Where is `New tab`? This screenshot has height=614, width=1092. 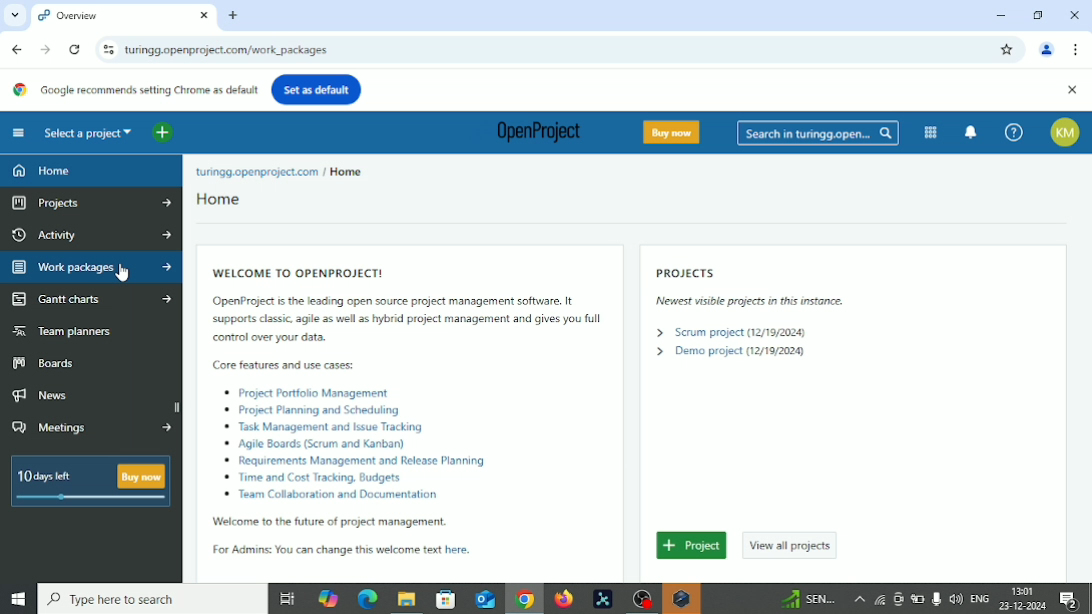 New tab is located at coordinates (234, 16).